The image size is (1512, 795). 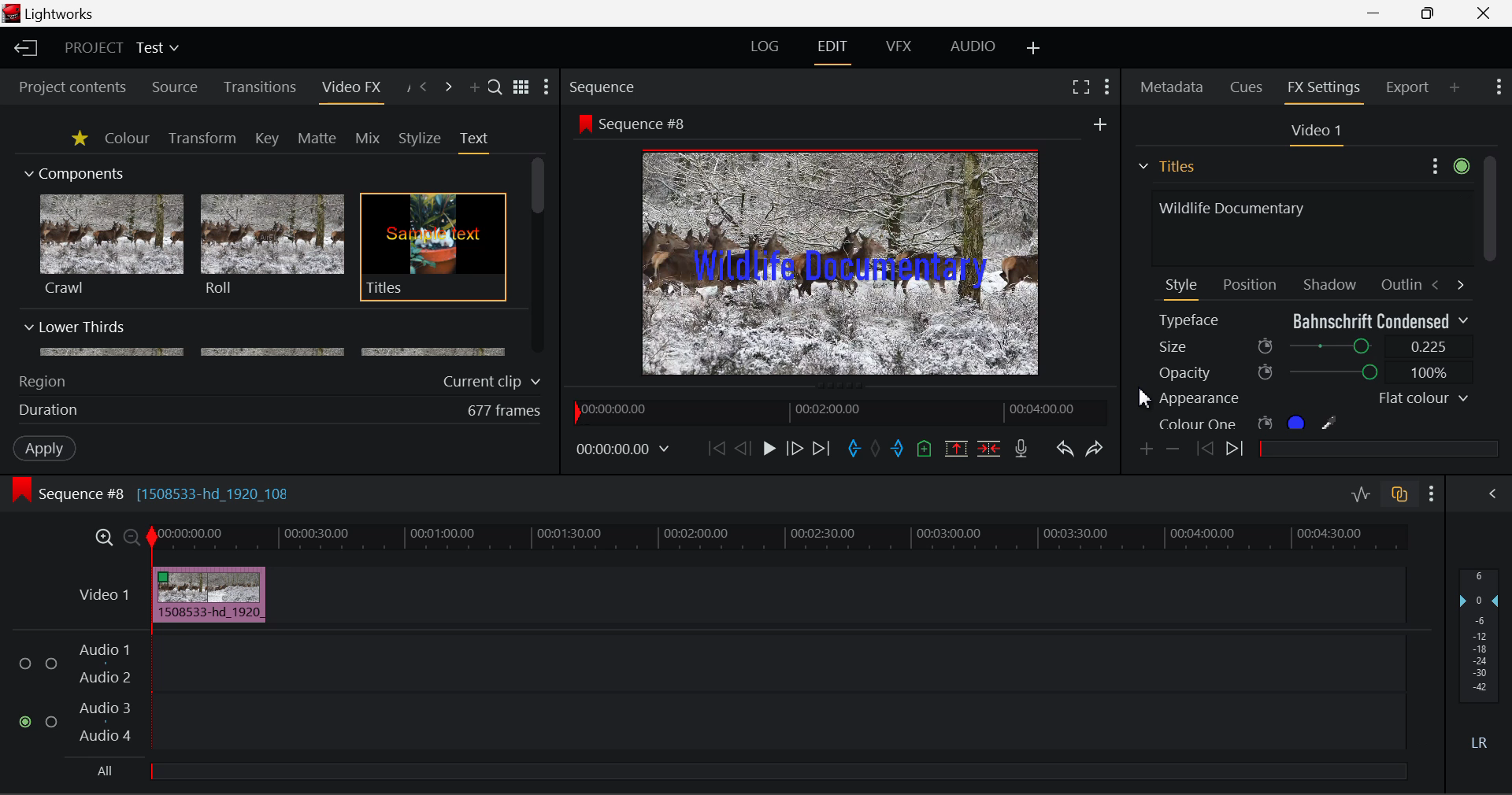 I want to click on Apply, so click(x=46, y=447).